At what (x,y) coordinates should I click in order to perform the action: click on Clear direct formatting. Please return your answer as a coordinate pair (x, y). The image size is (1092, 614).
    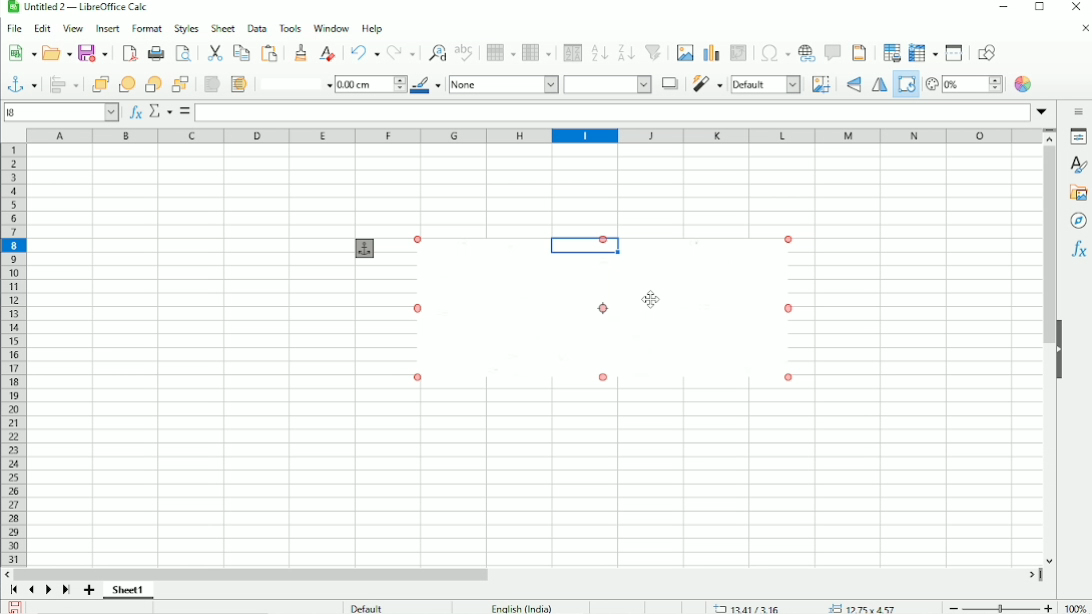
    Looking at the image, I should click on (326, 53).